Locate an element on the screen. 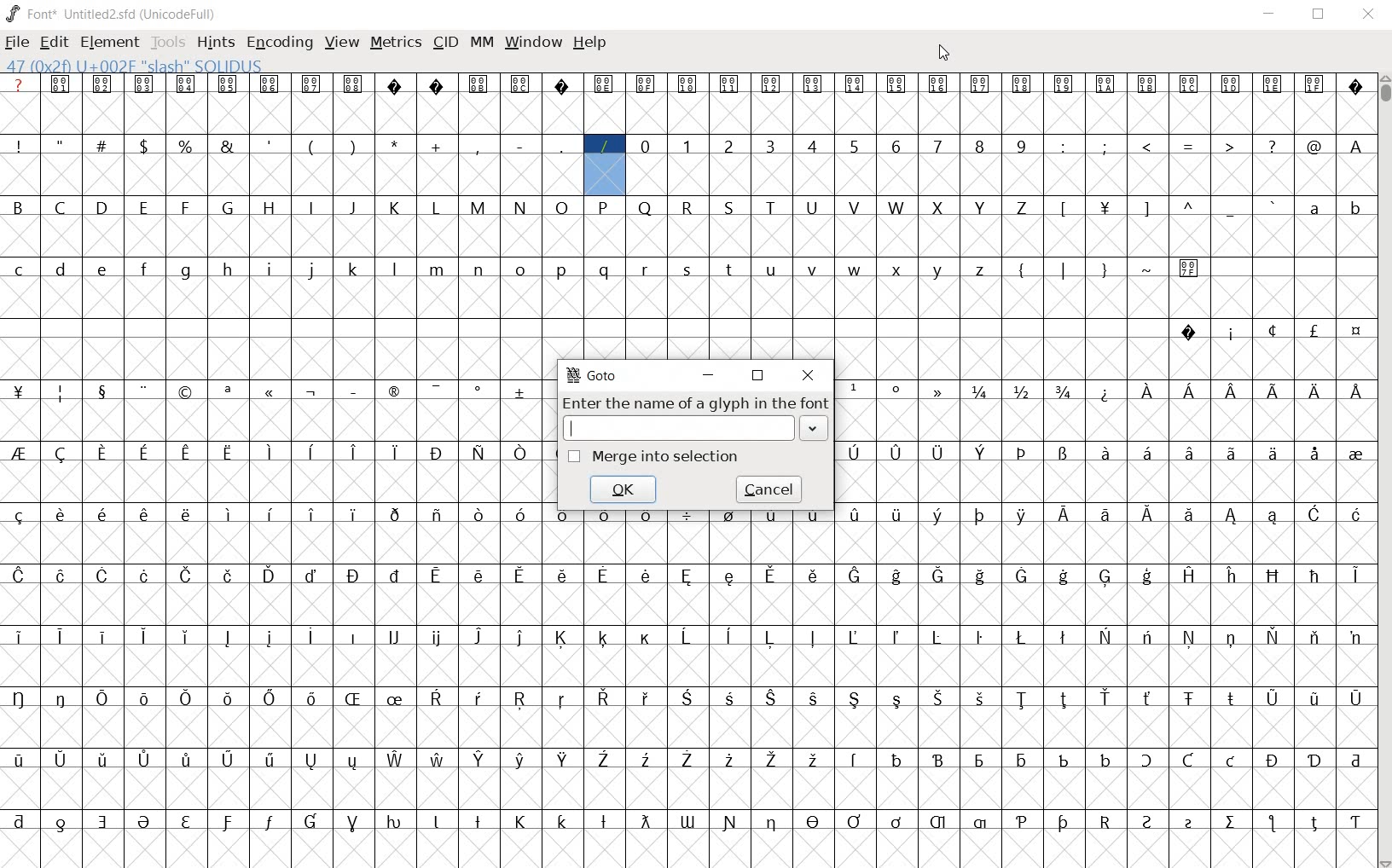 The width and height of the screenshot is (1392, 868). glyph is located at coordinates (1356, 823).